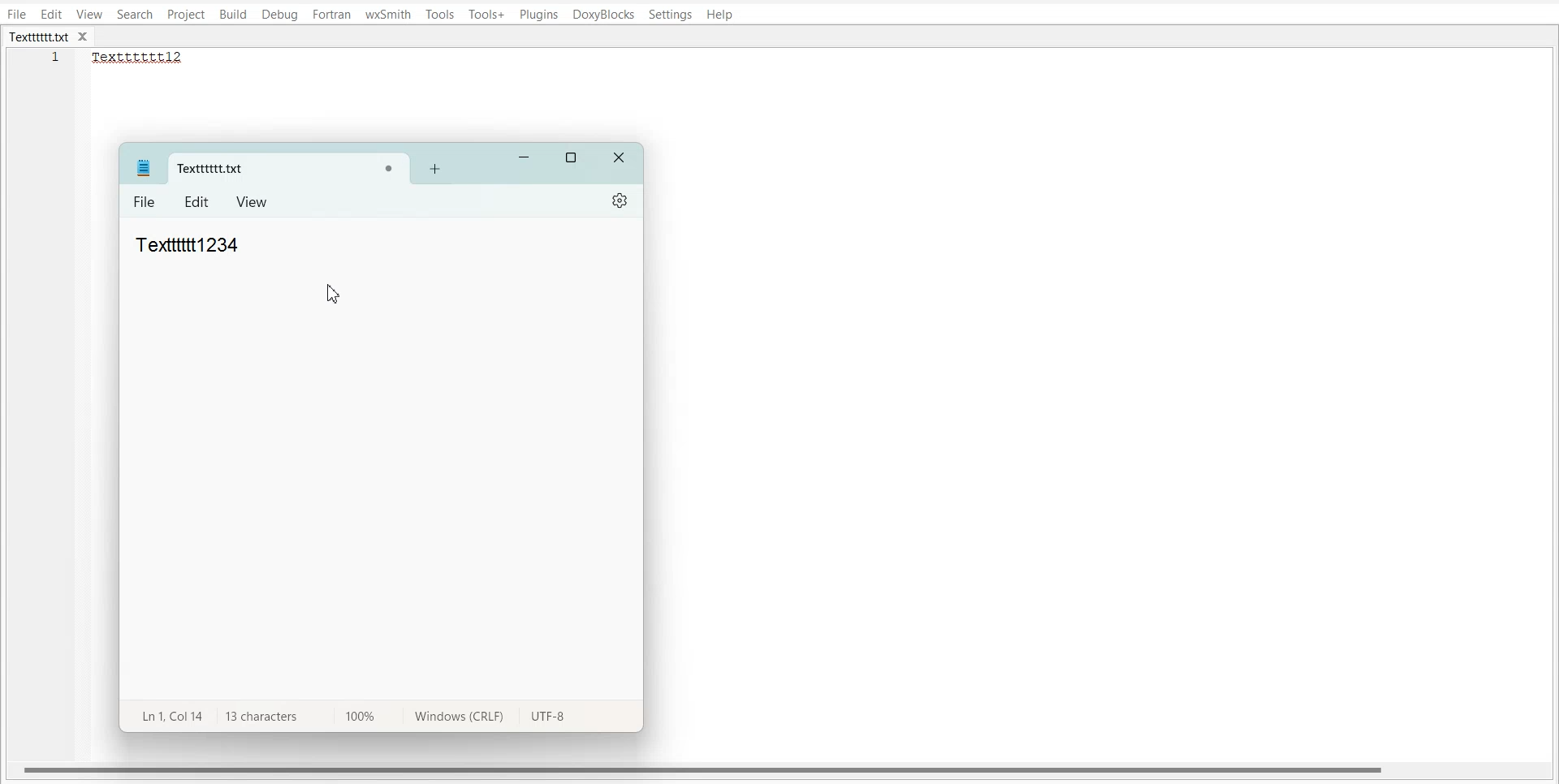 The width and height of the screenshot is (1559, 784). What do you see at coordinates (525, 158) in the screenshot?
I see `Minimize` at bounding box center [525, 158].